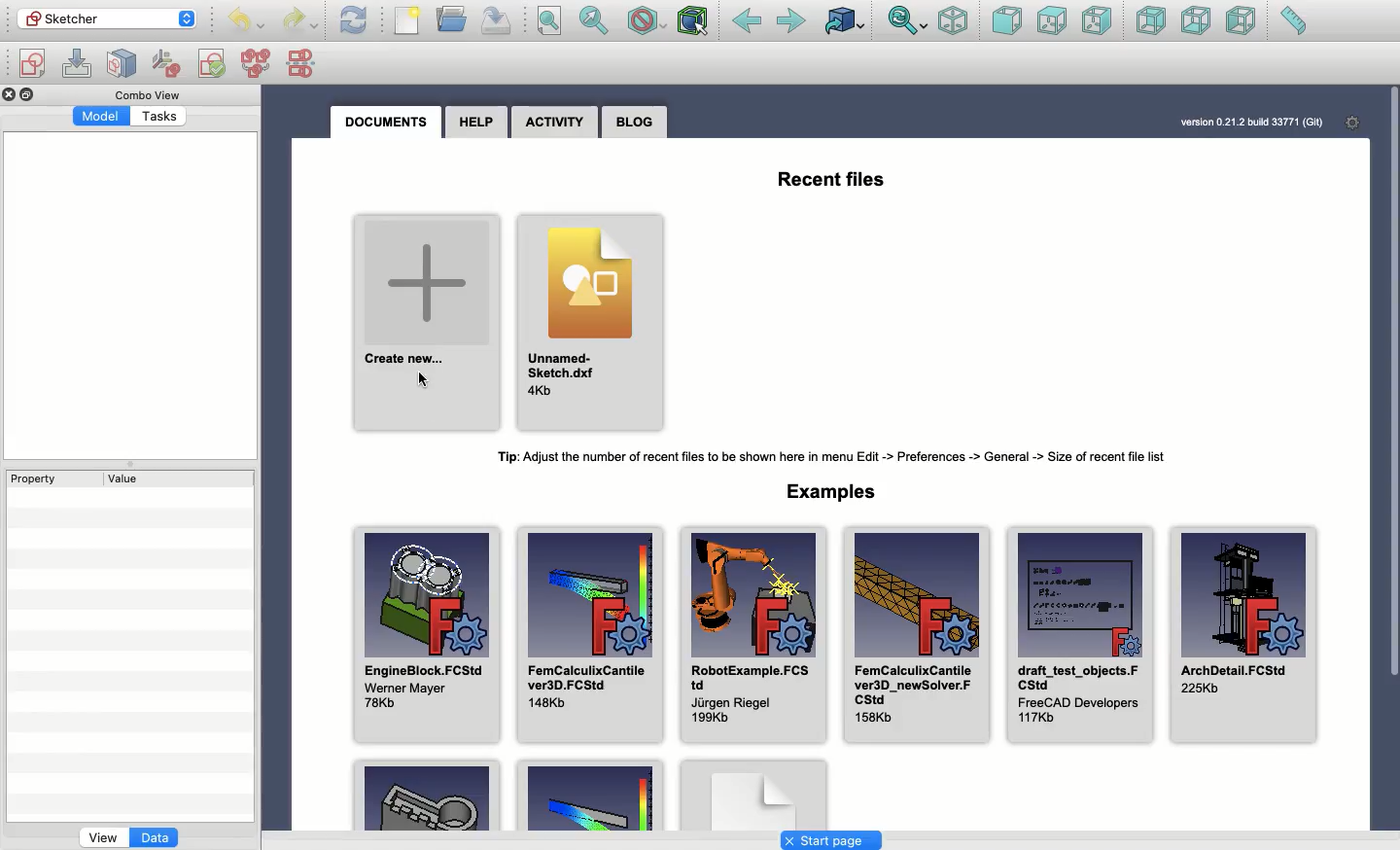 The height and width of the screenshot is (850, 1400). What do you see at coordinates (695, 20) in the screenshot?
I see `Bounding box` at bounding box center [695, 20].